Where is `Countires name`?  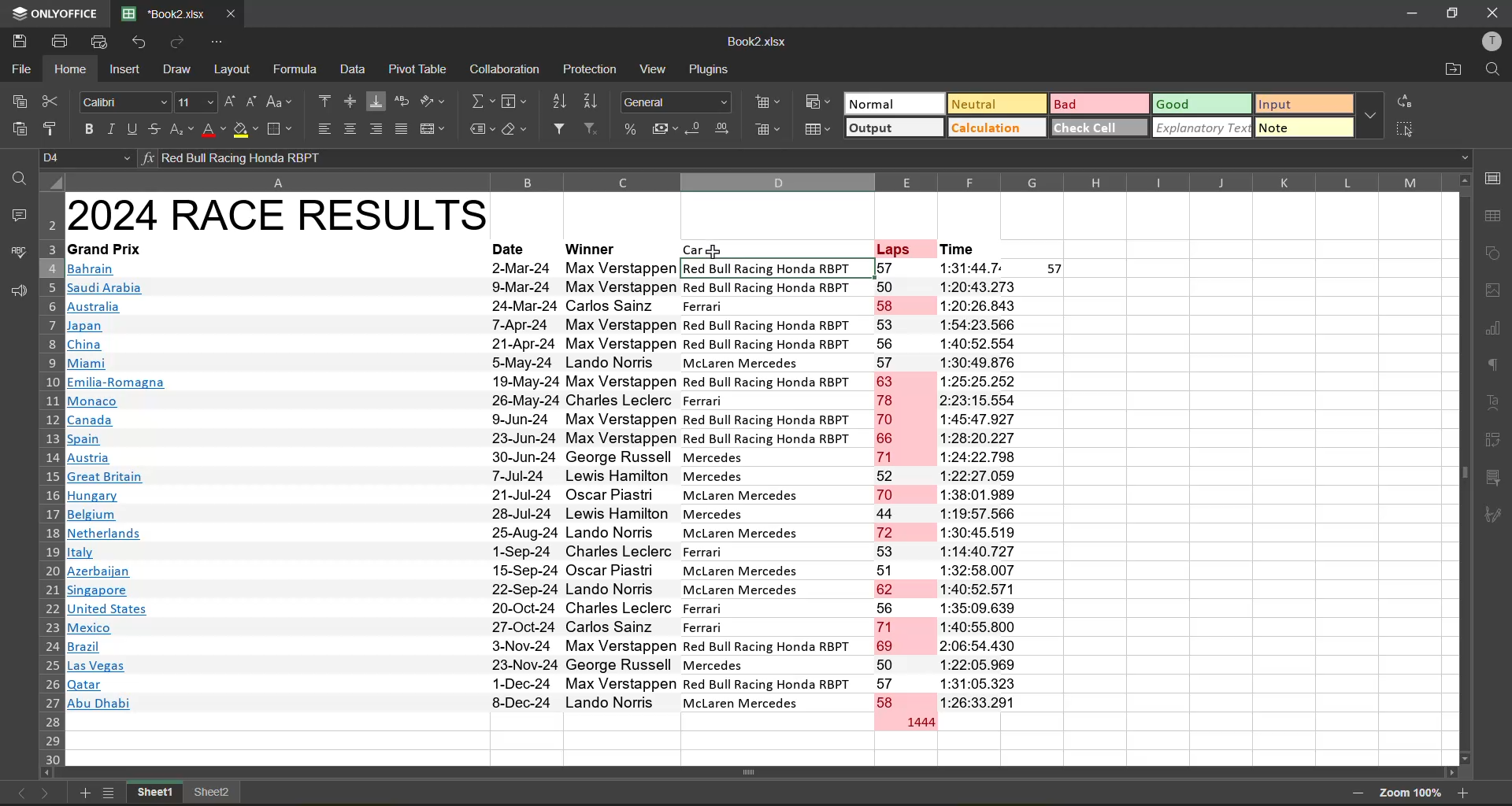
Countires name is located at coordinates (120, 488).